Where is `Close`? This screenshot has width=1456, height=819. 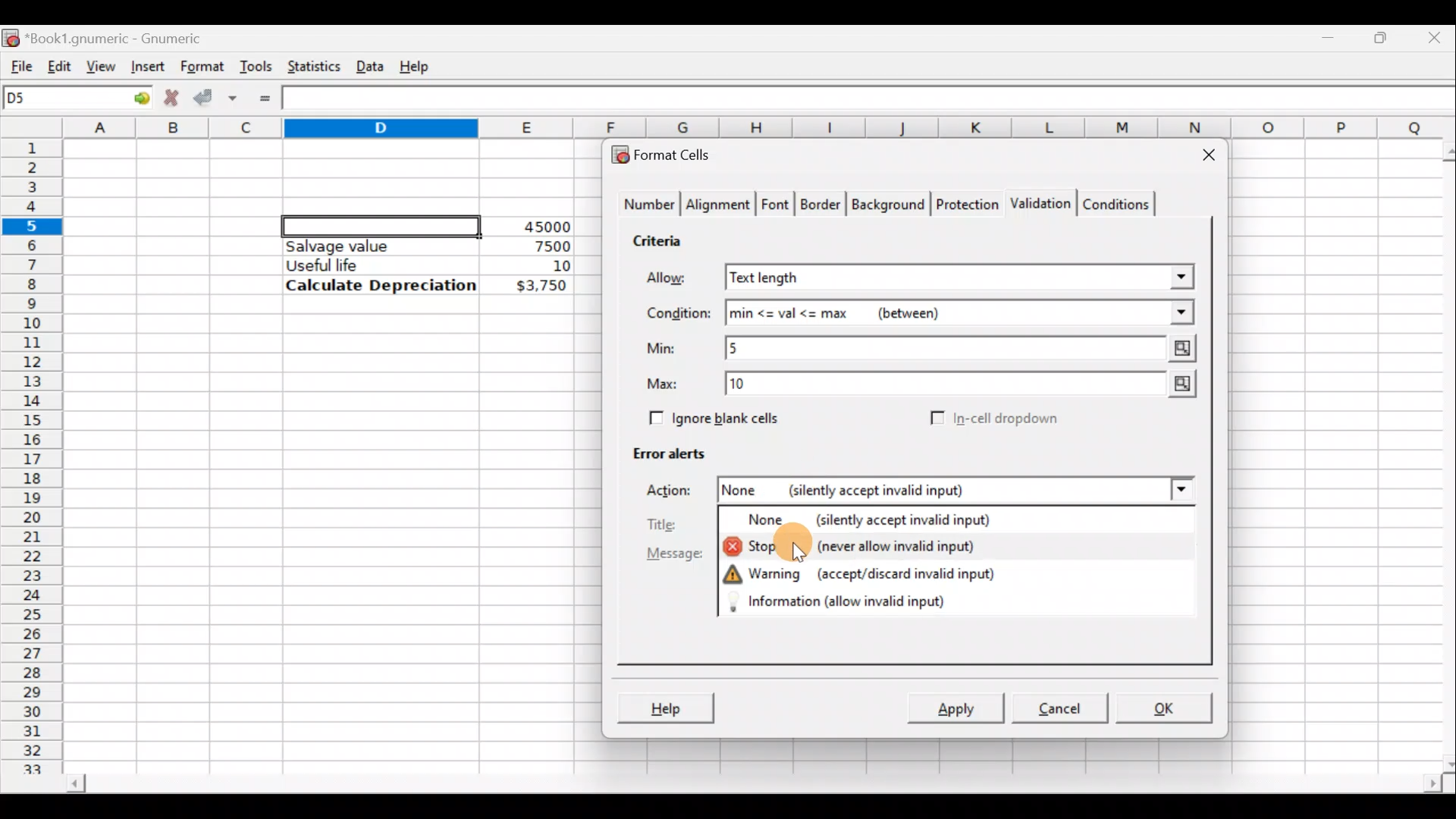
Close is located at coordinates (1437, 36).